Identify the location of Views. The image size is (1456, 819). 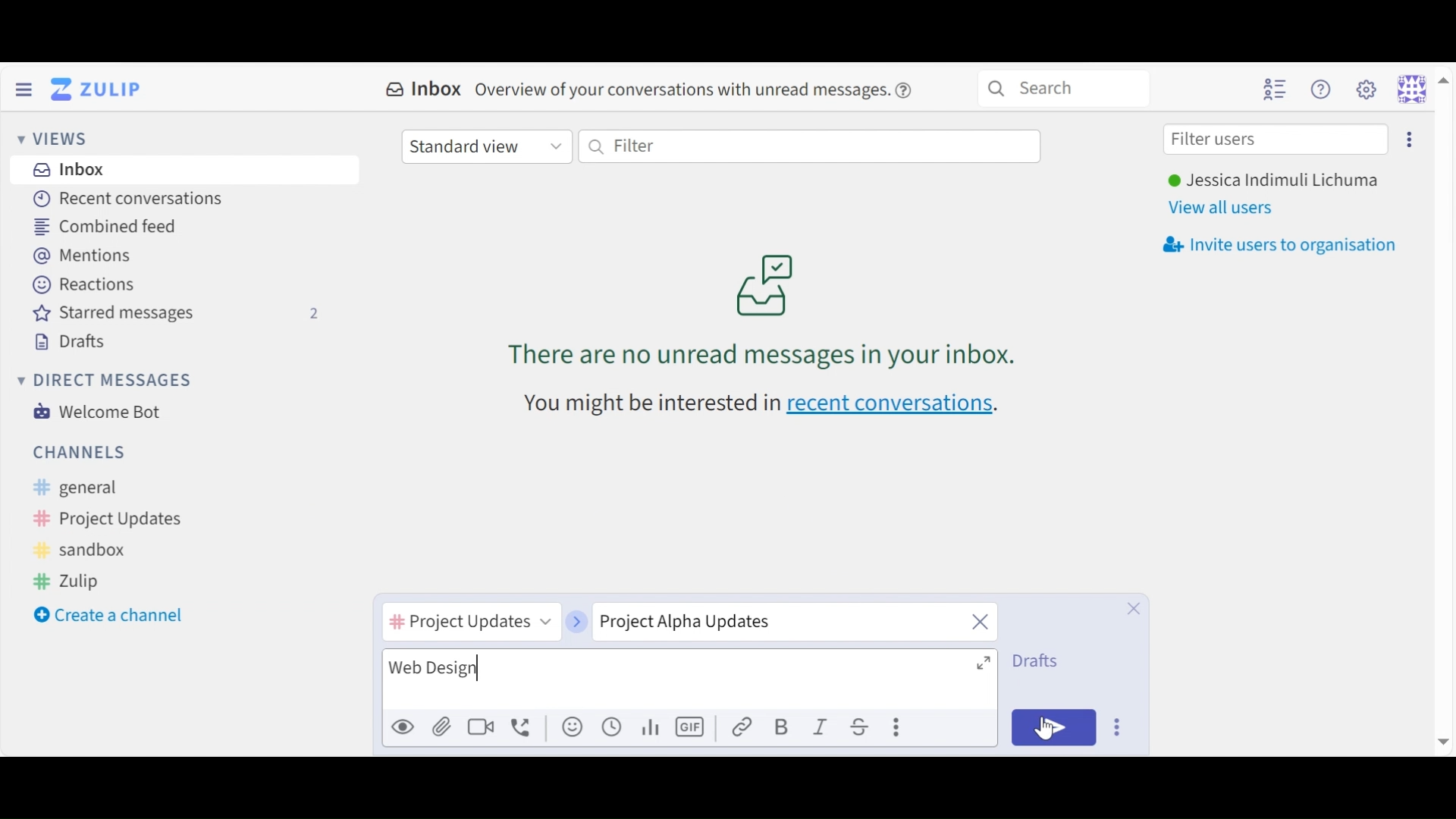
(58, 139).